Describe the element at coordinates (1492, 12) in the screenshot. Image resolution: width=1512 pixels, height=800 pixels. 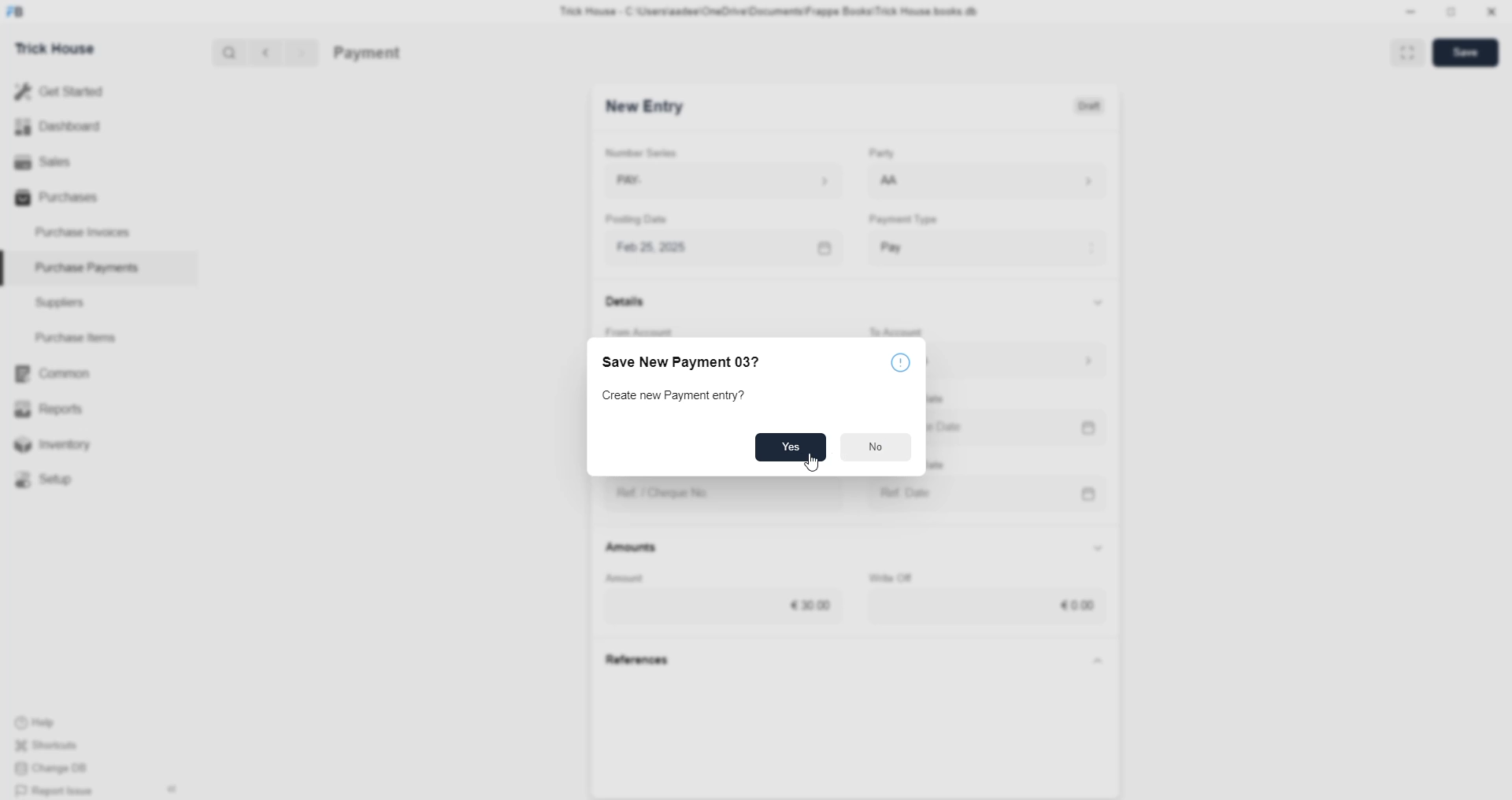
I see `close` at that location.